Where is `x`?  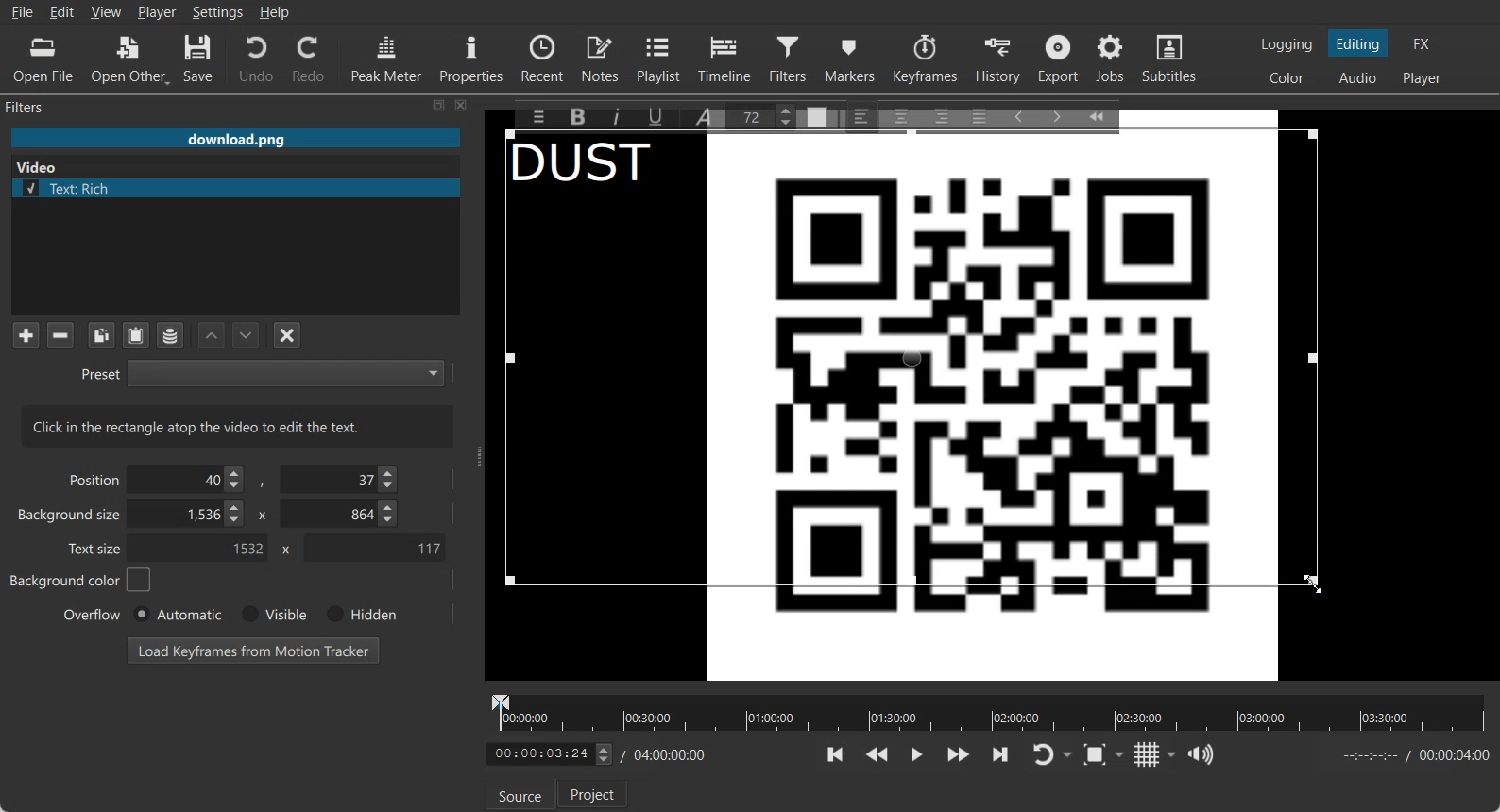 x is located at coordinates (260, 514).